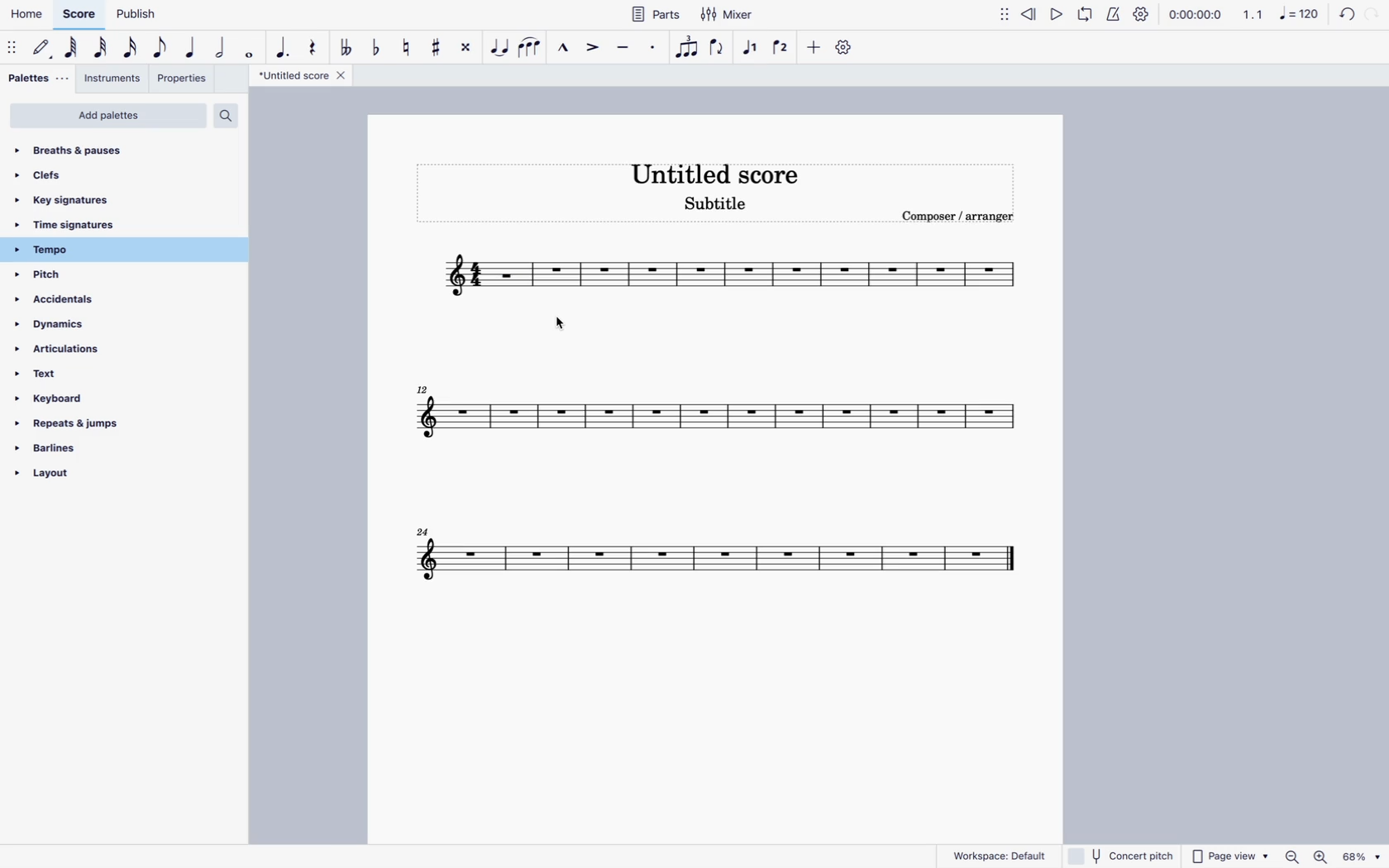 This screenshot has height=868, width=1389. I want to click on add palettes, so click(109, 116).